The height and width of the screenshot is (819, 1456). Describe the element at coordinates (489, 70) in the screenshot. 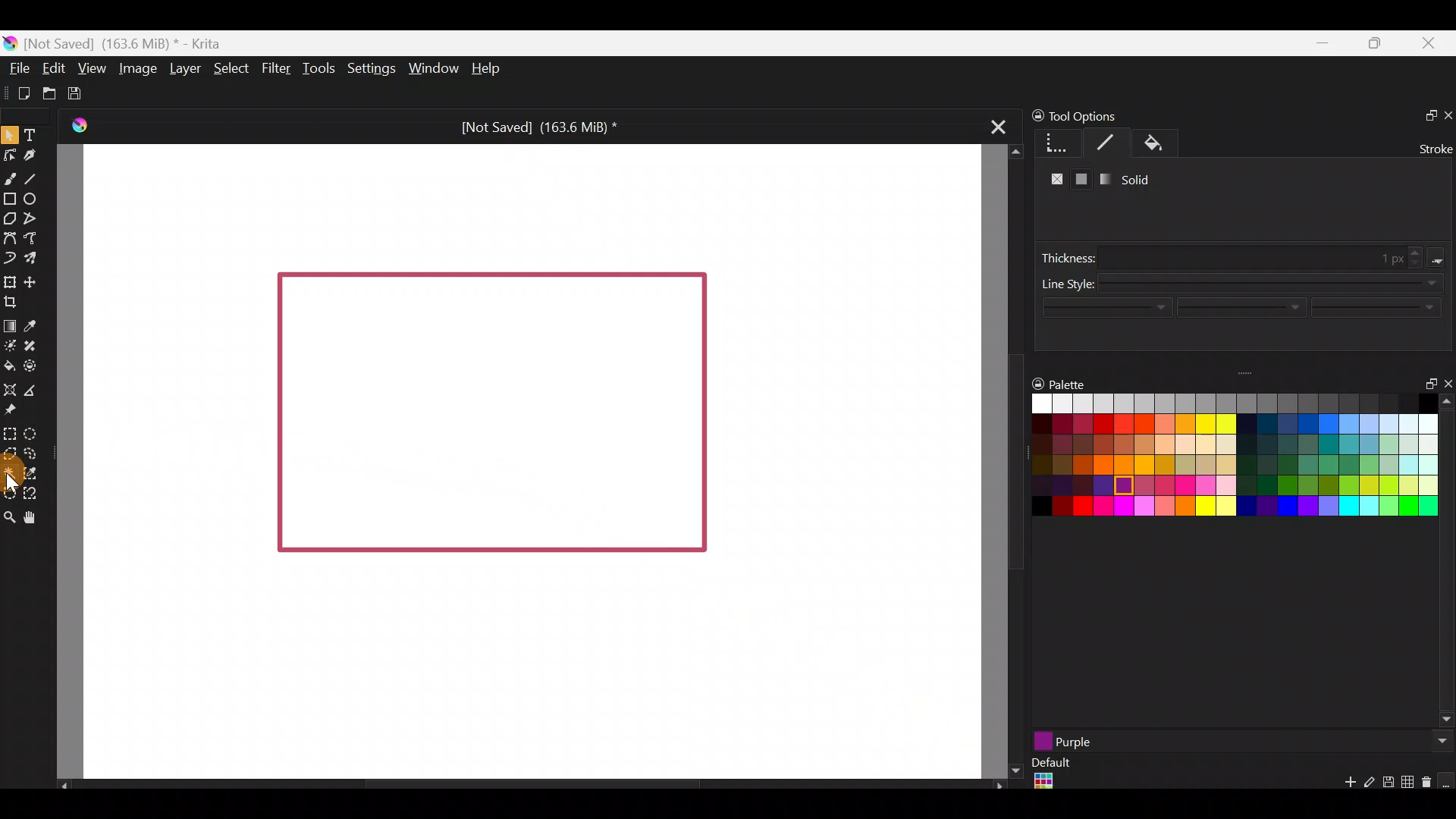

I see `Help` at that location.